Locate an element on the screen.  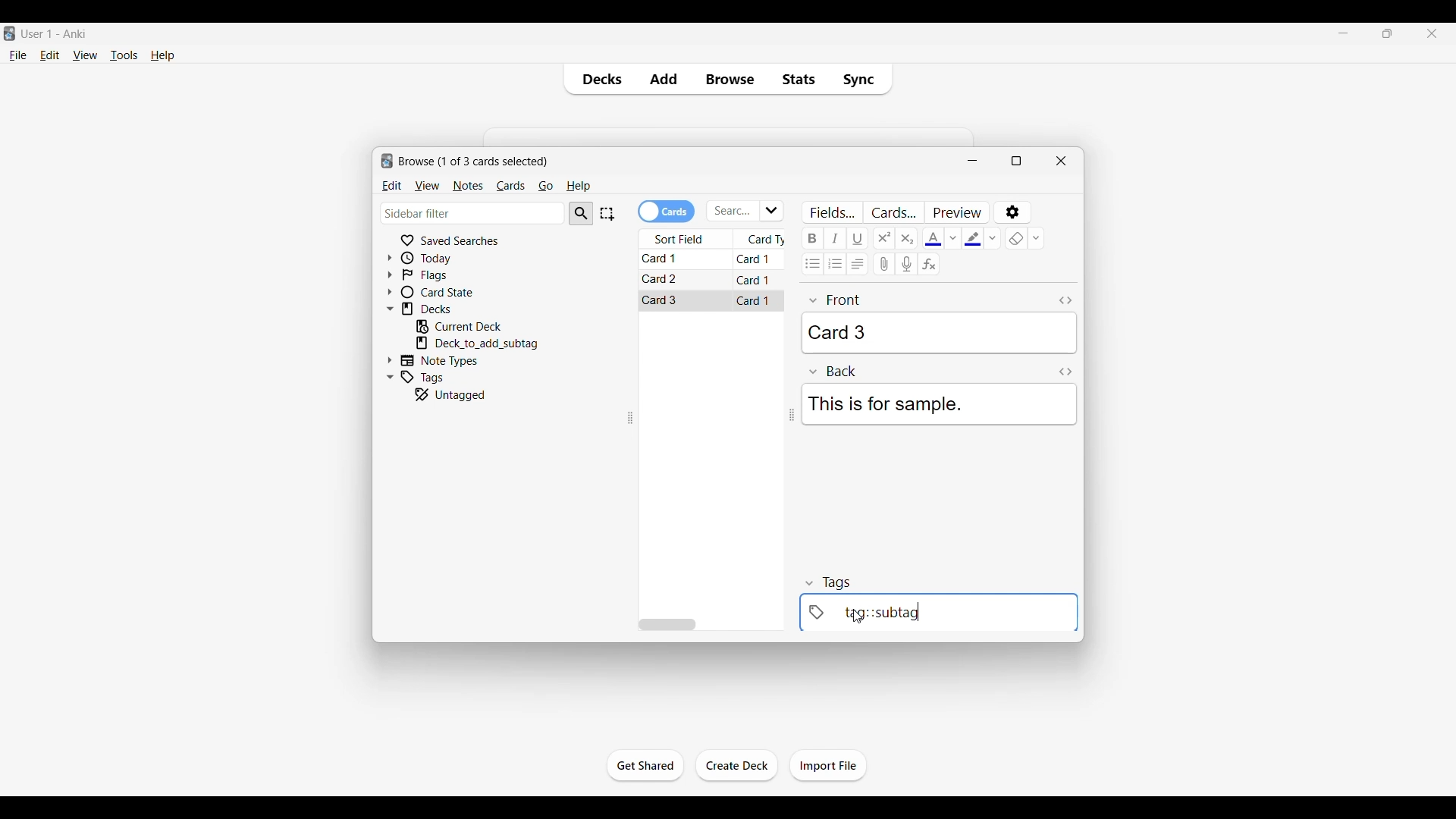
Browse is located at coordinates (730, 79).